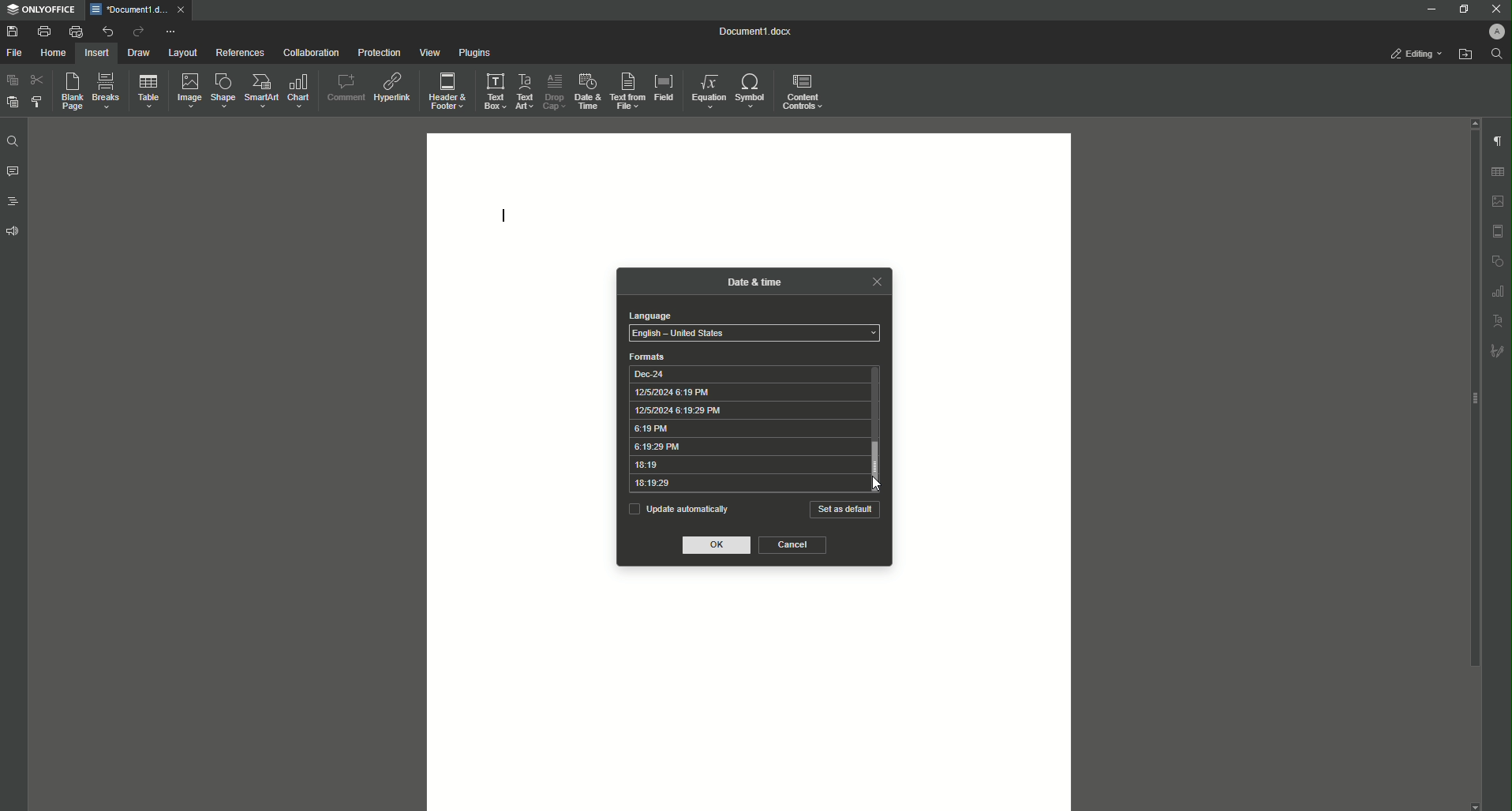  What do you see at coordinates (97, 52) in the screenshot?
I see `Insert` at bounding box center [97, 52].